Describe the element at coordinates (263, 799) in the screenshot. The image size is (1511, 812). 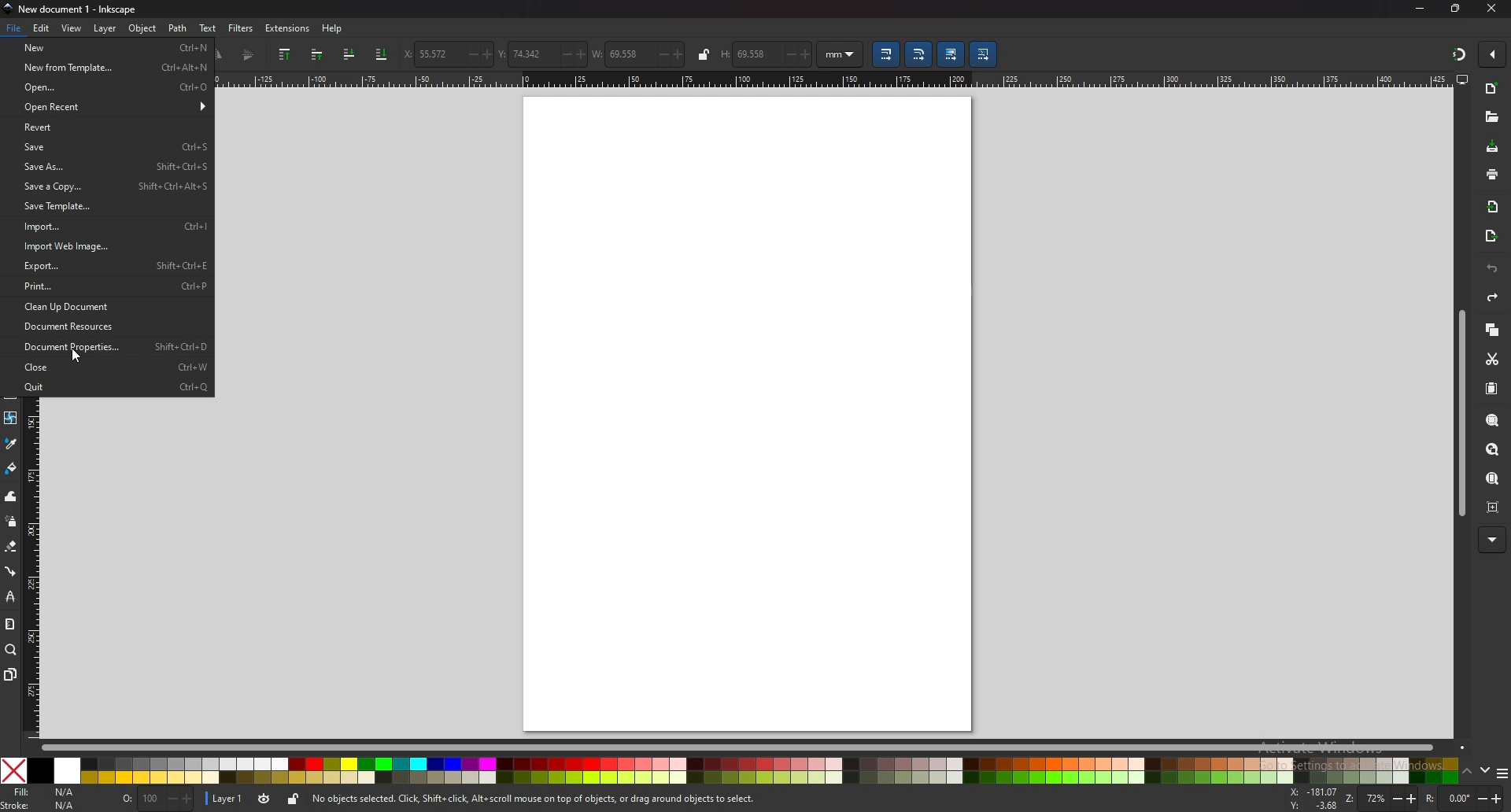
I see `current layer visibility` at that location.